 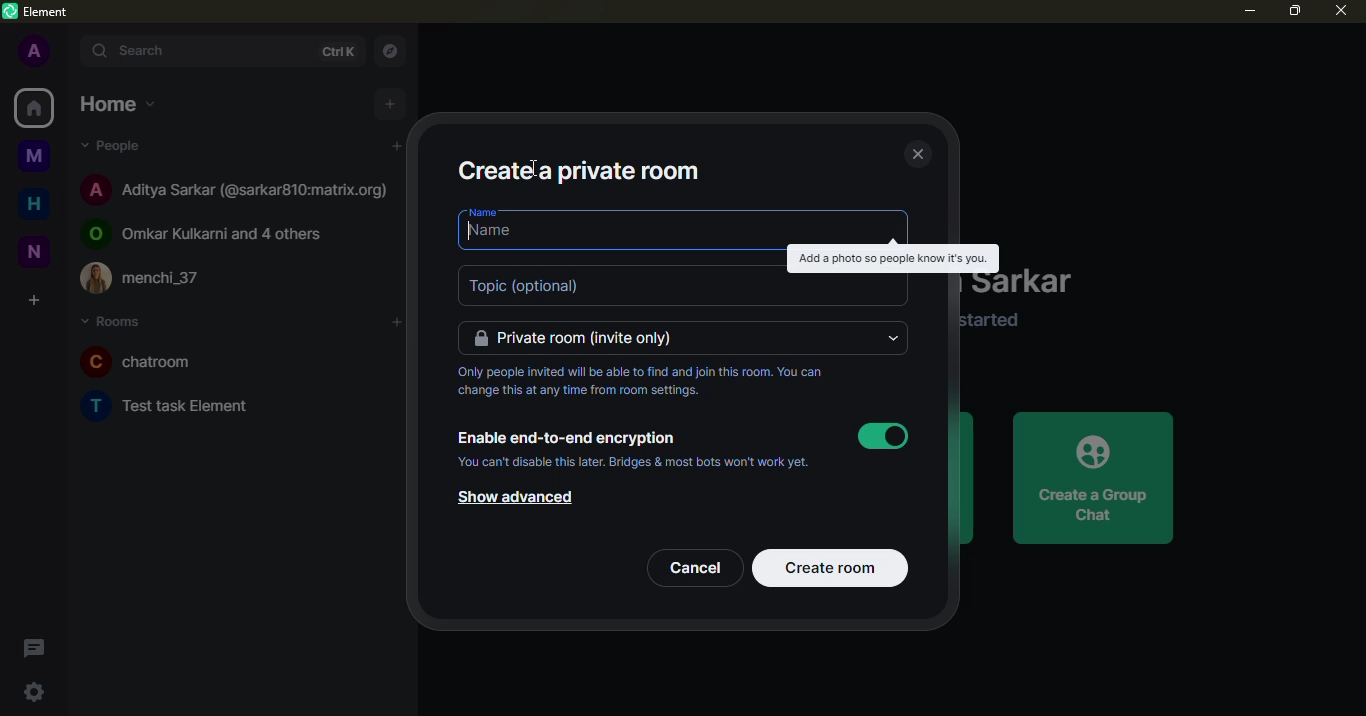 What do you see at coordinates (892, 259) in the screenshot?
I see `glitch` at bounding box center [892, 259].